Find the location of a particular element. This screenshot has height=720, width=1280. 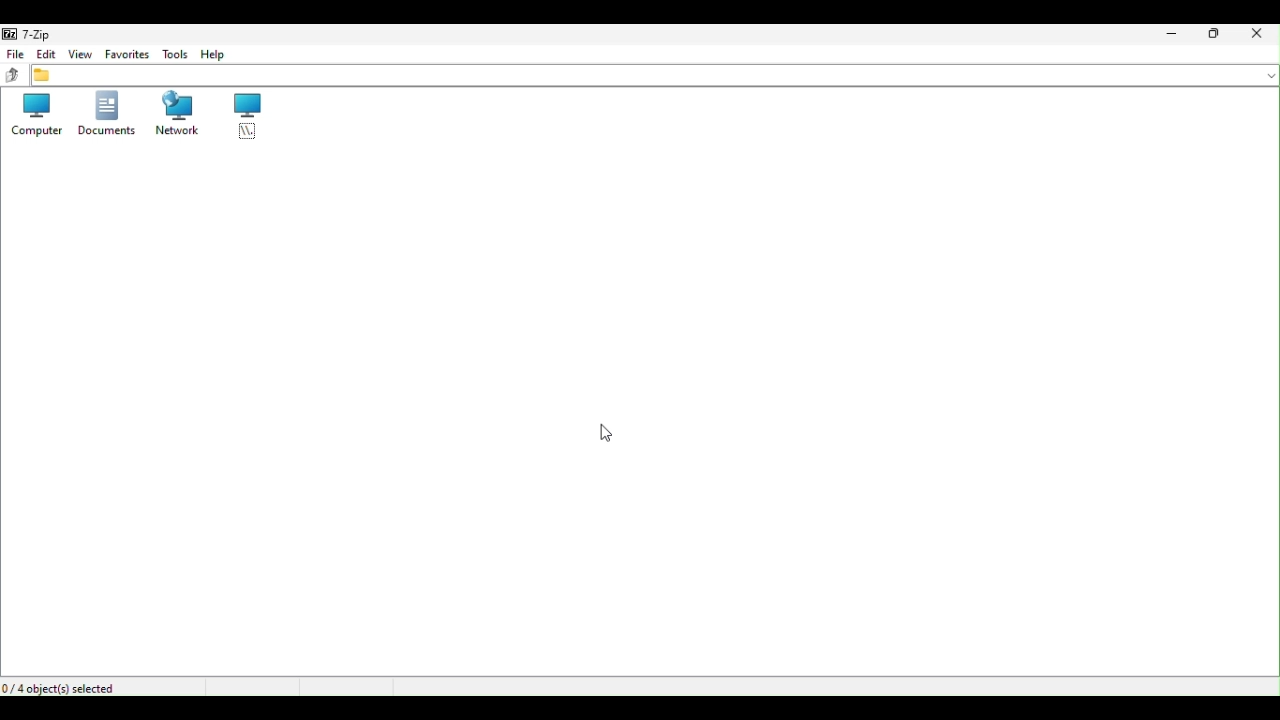

root is located at coordinates (239, 116).